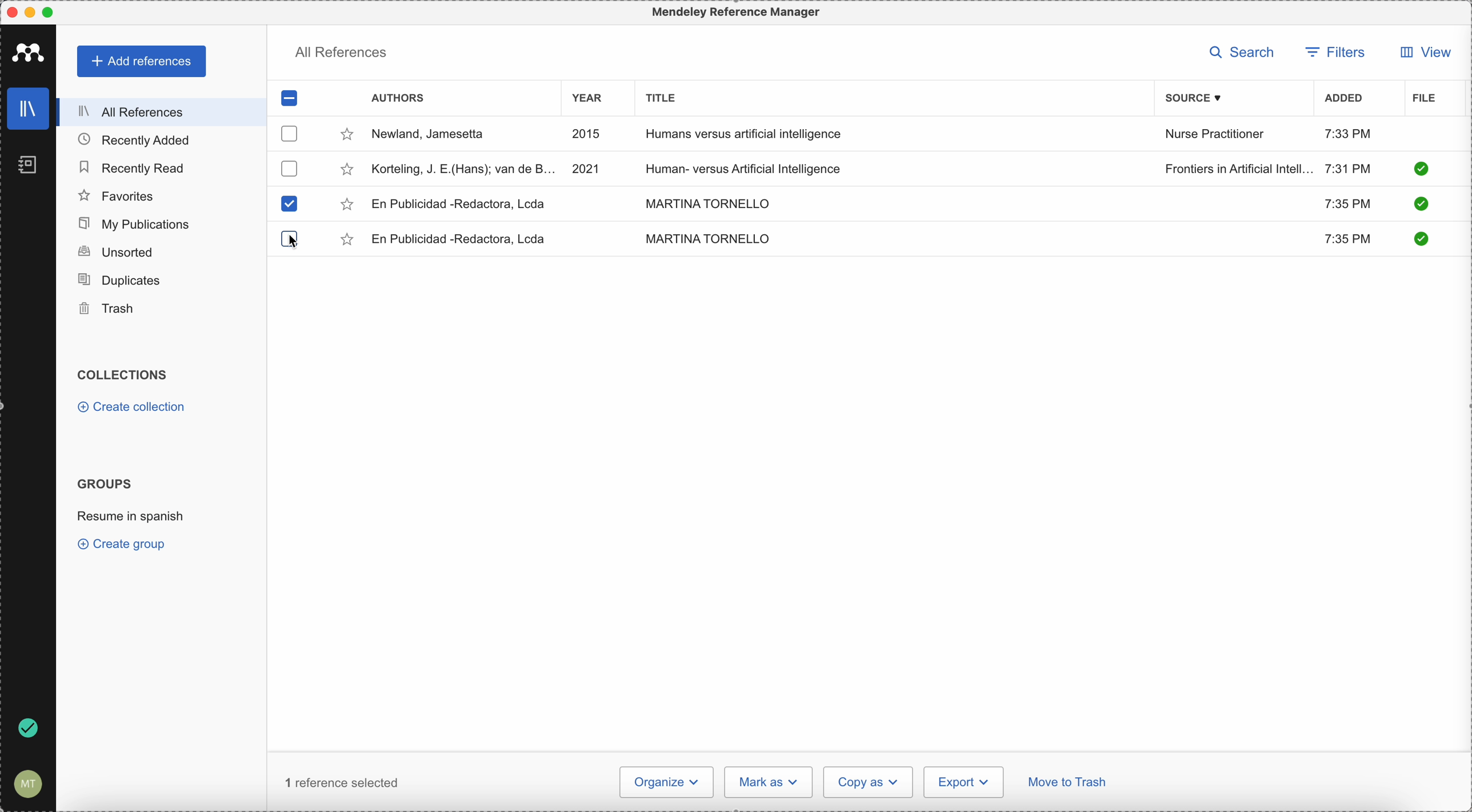  I want to click on 2021, so click(587, 167).